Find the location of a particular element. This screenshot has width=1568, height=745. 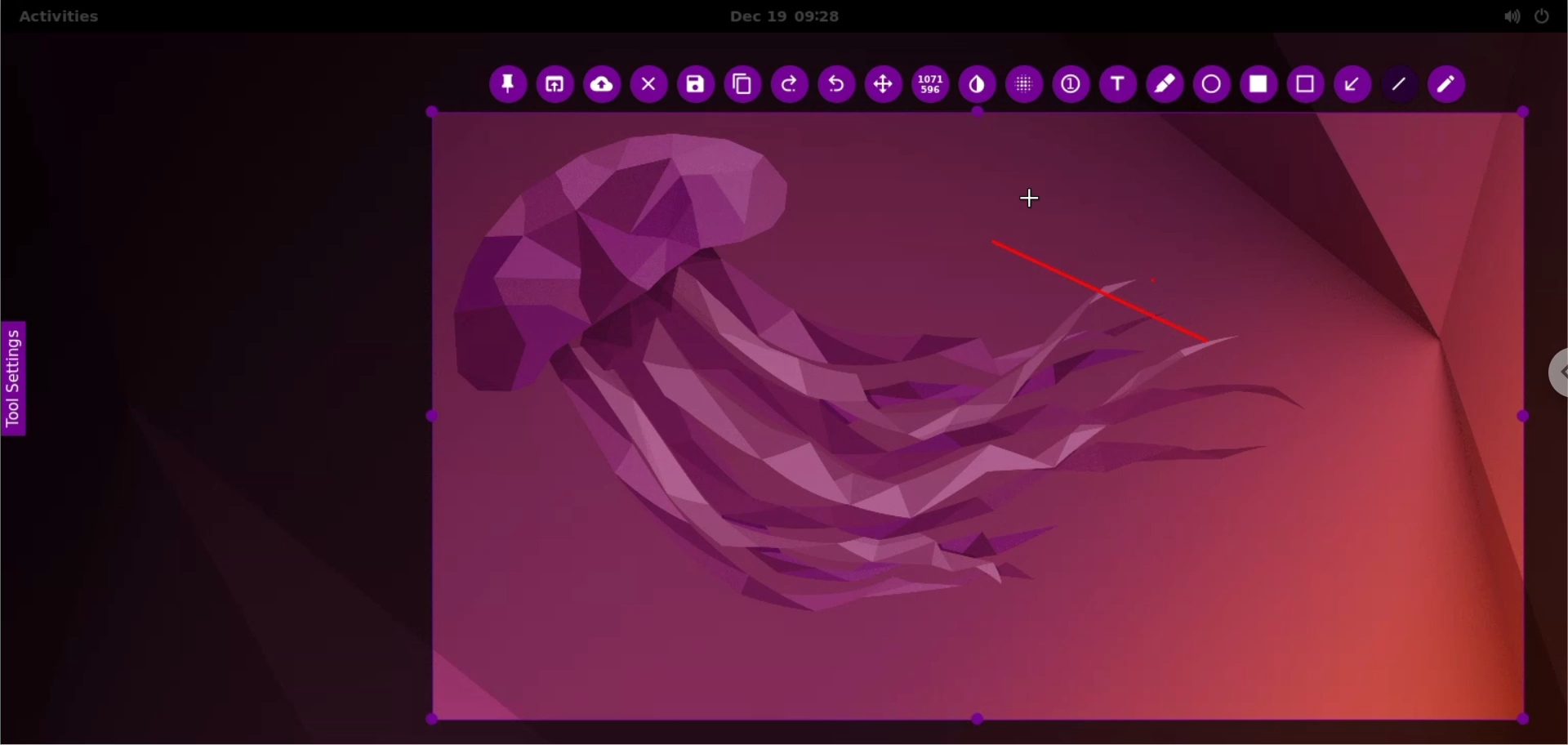

move selection is located at coordinates (888, 87).